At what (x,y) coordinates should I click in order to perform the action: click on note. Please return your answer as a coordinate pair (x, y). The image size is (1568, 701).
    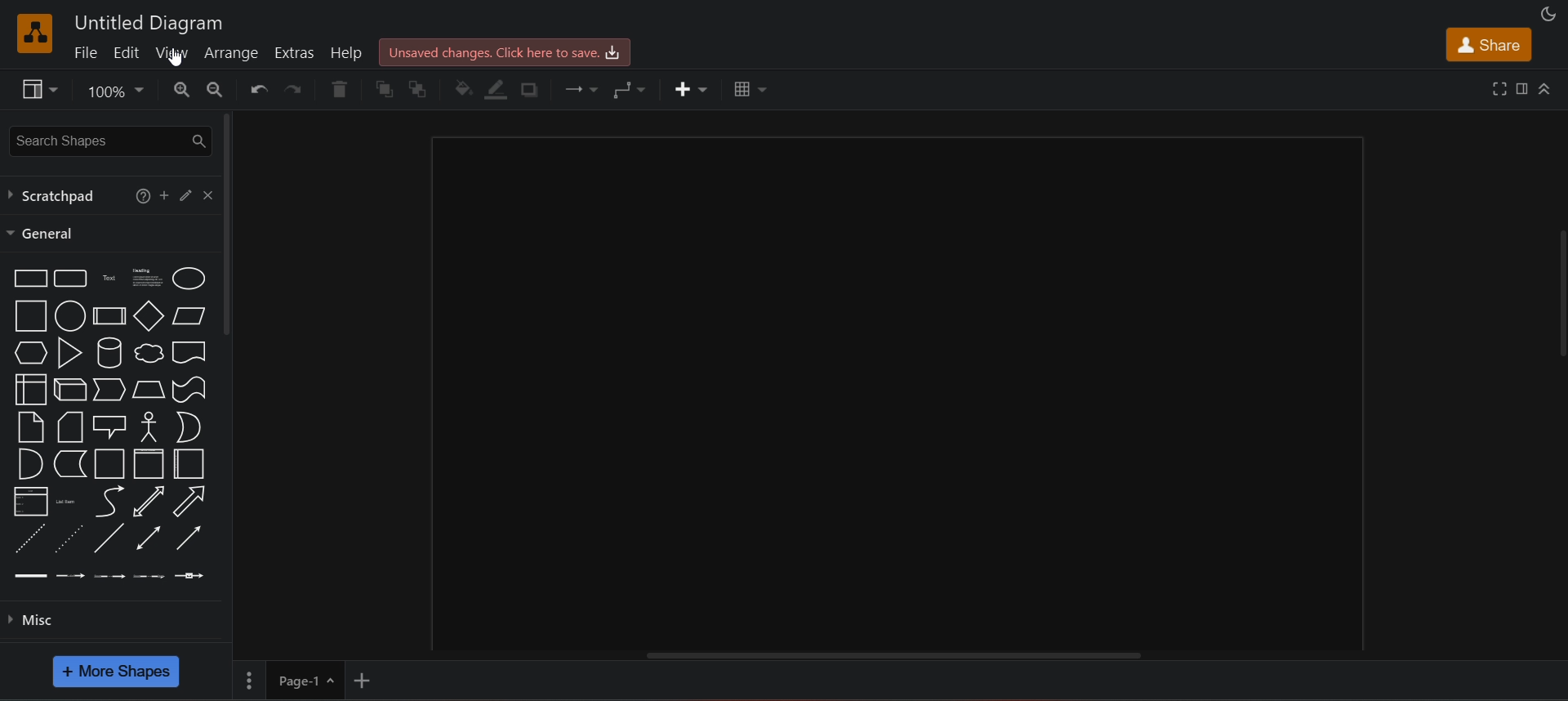
    Looking at the image, I should click on (30, 427).